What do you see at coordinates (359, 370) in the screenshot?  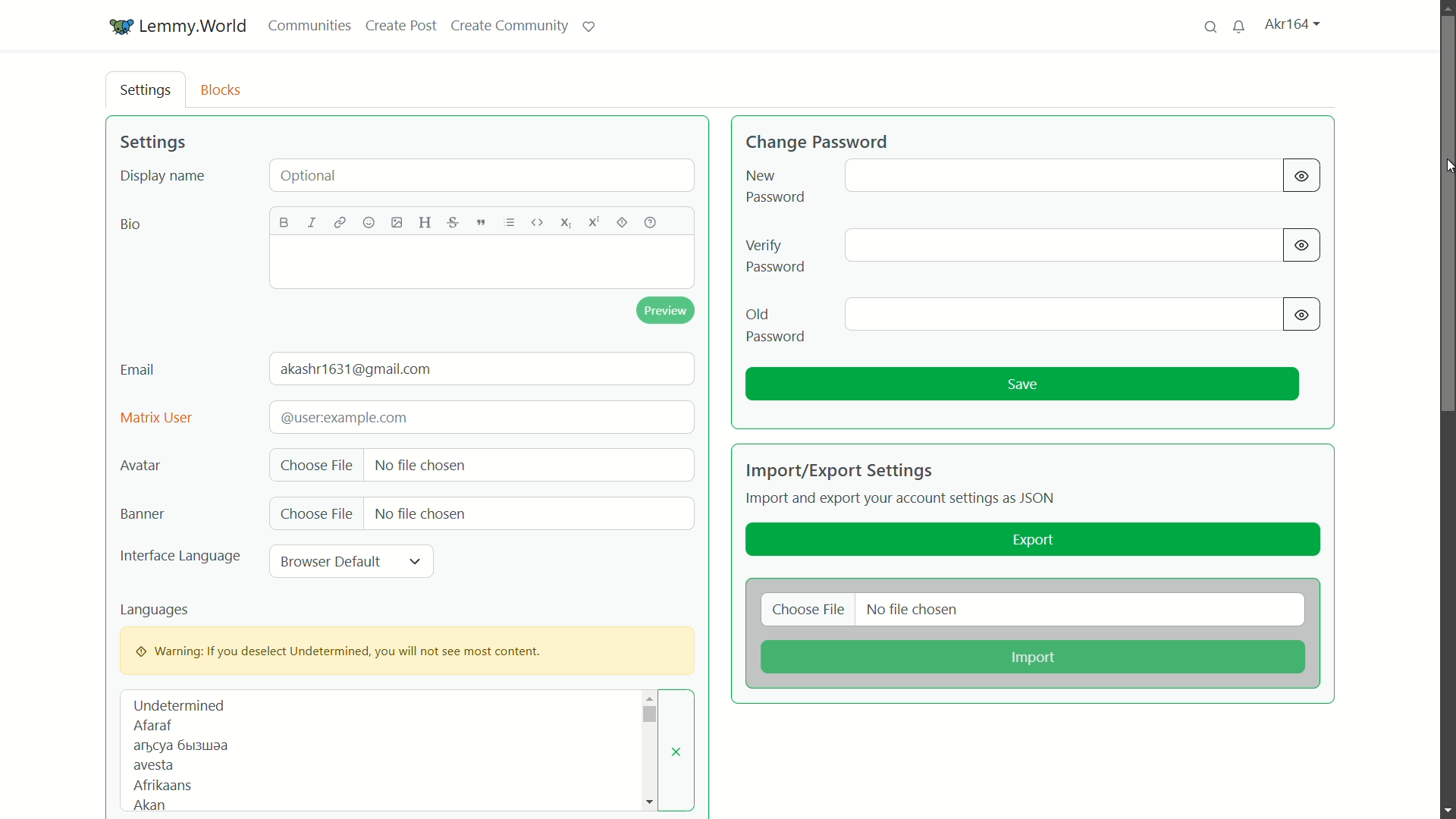 I see `user mail` at bounding box center [359, 370].